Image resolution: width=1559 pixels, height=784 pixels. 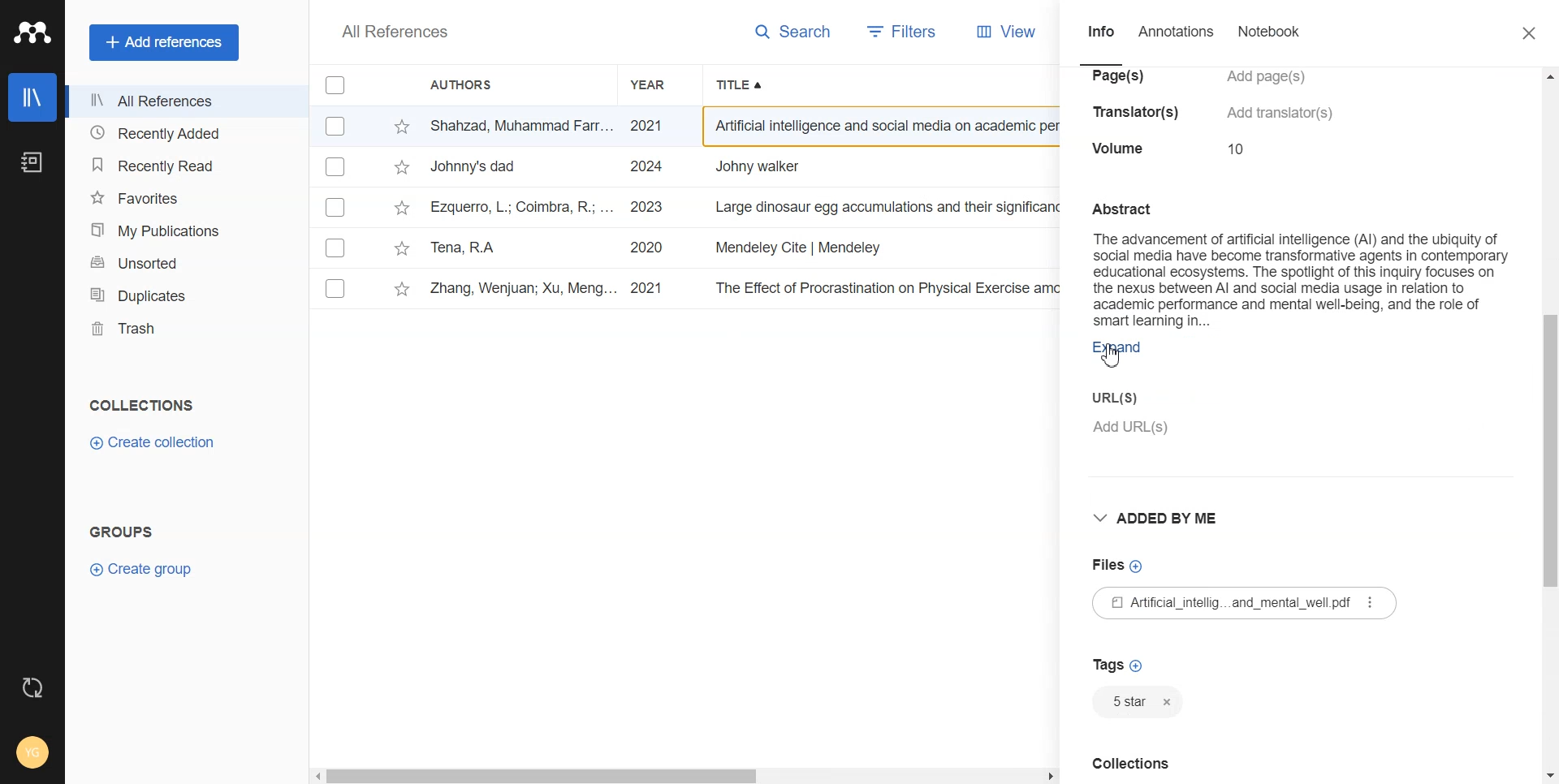 What do you see at coordinates (335, 248) in the screenshot?
I see `` at bounding box center [335, 248].